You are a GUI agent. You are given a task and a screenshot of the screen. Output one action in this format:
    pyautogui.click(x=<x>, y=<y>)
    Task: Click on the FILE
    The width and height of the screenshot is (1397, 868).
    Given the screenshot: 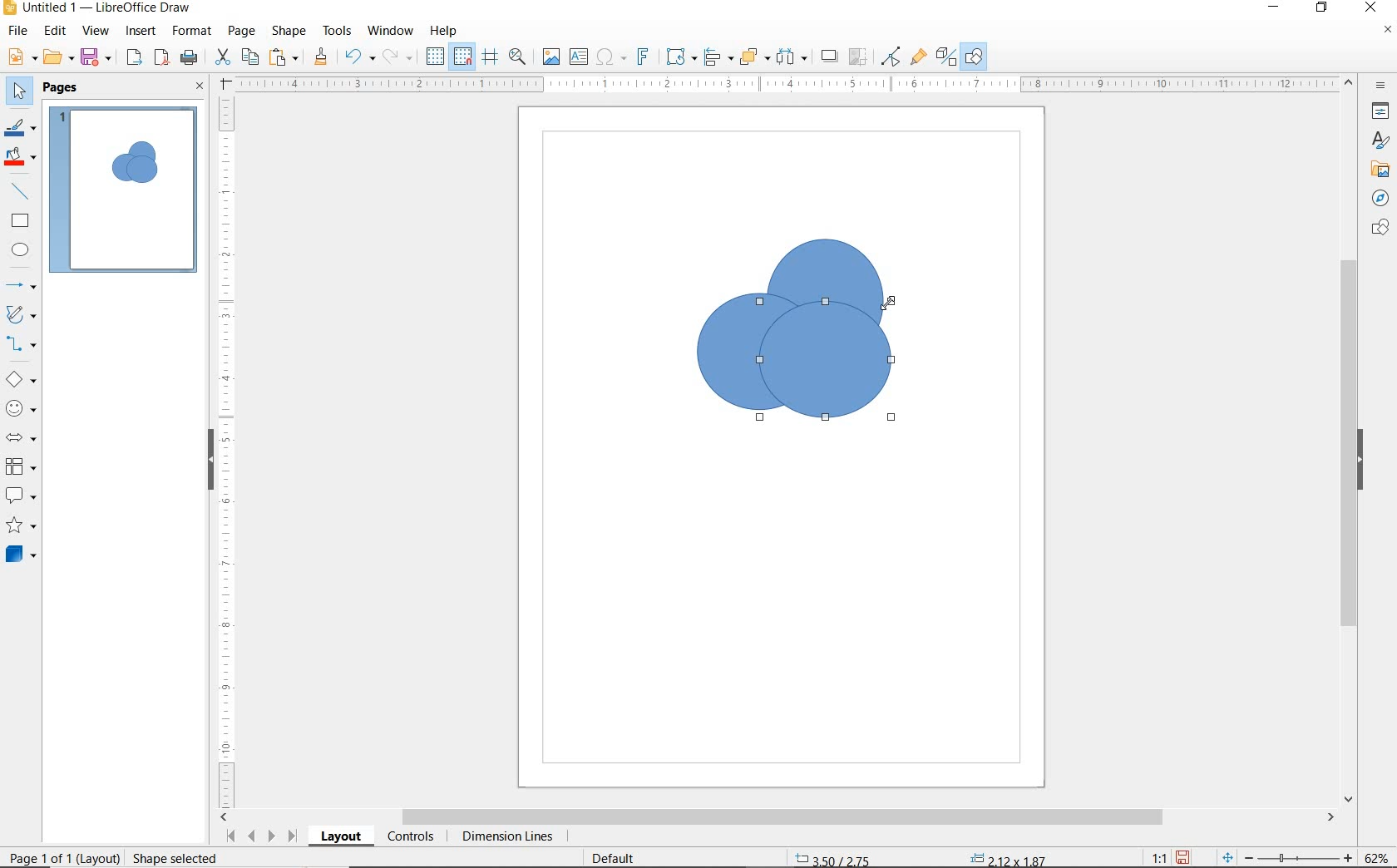 What is the action you would take?
    pyautogui.click(x=19, y=33)
    